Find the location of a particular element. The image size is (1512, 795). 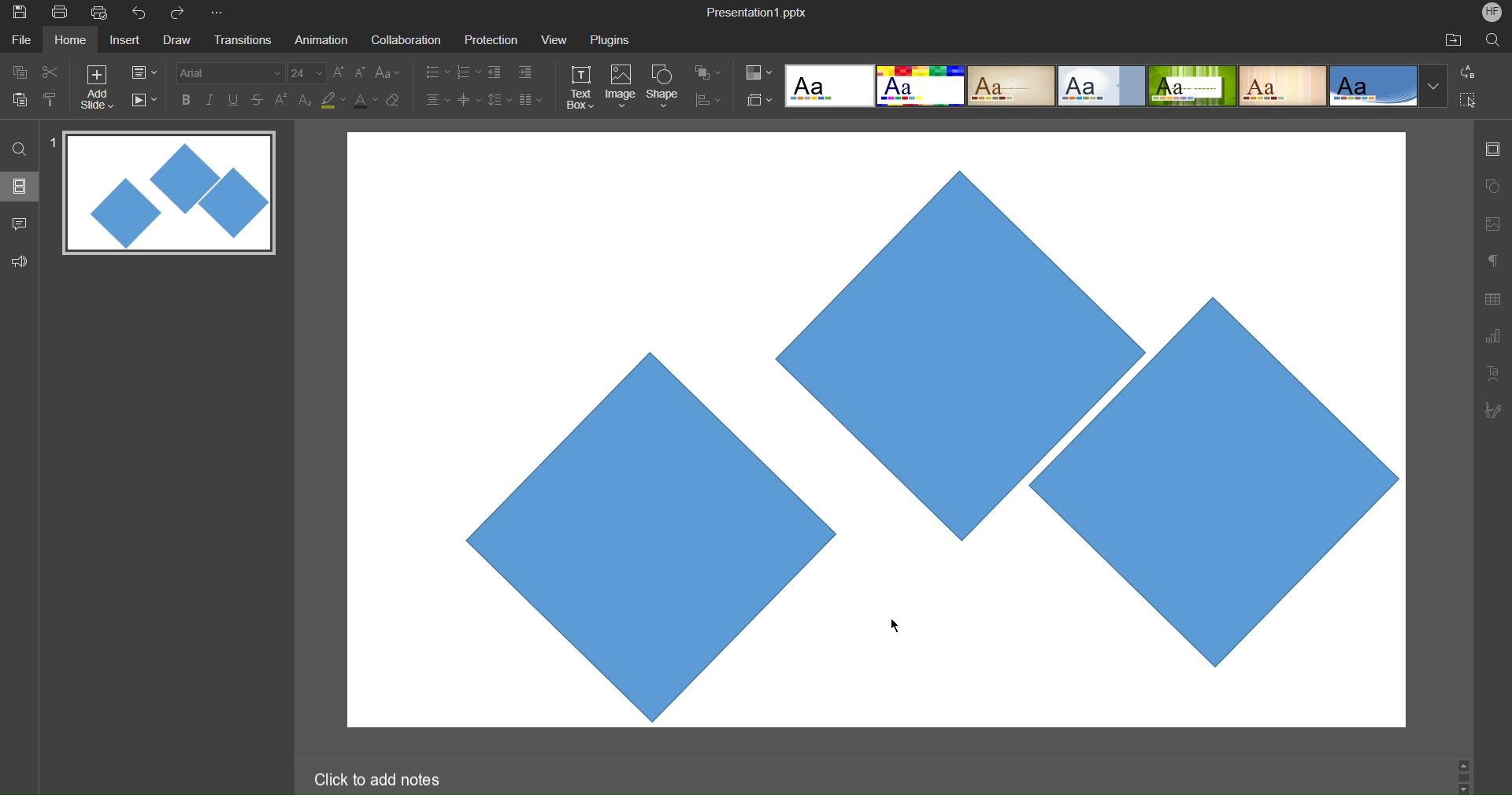

scrollbar is located at coordinates (1463, 775).